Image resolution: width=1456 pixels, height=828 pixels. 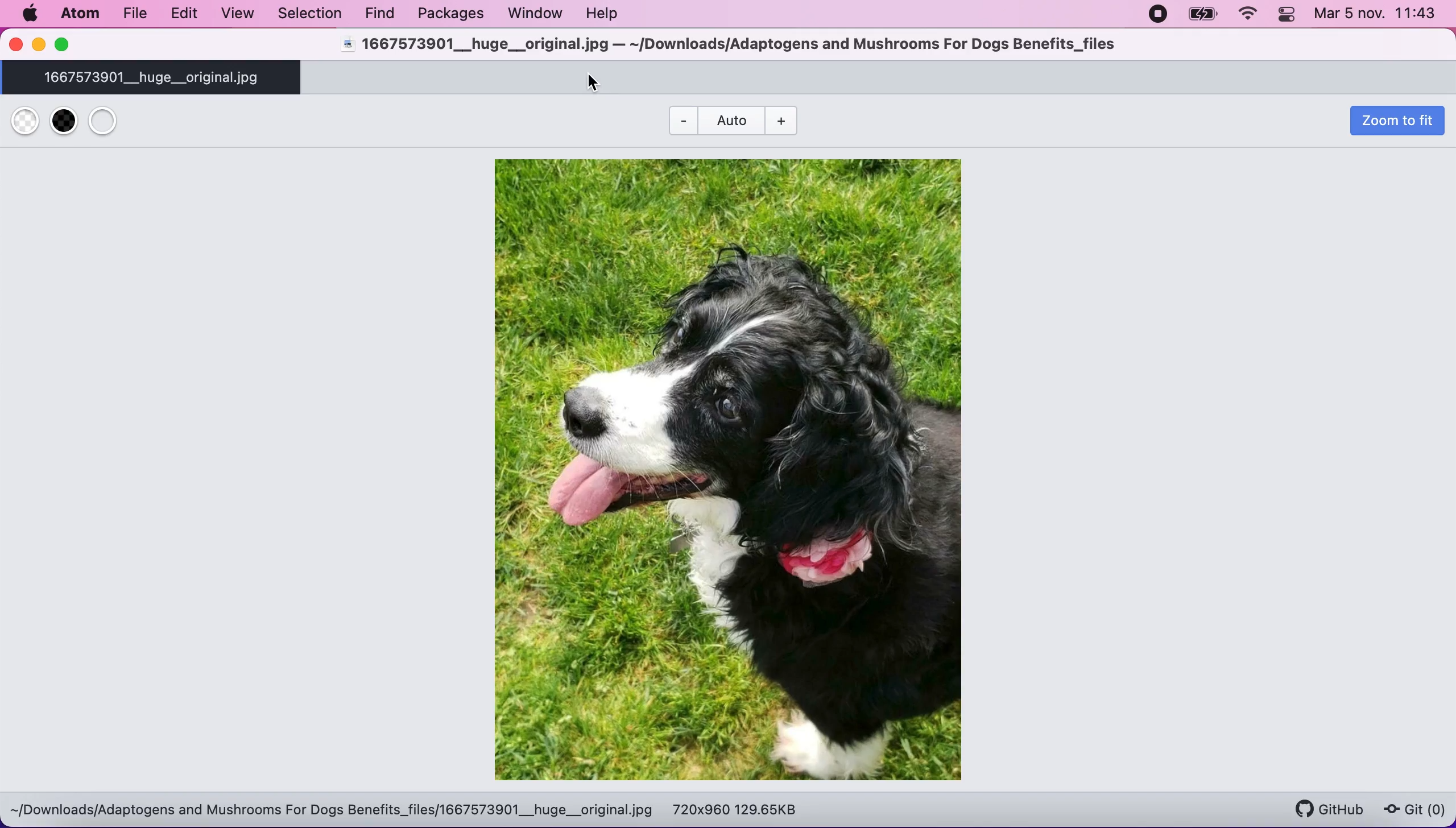 What do you see at coordinates (155, 78) in the screenshot?
I see `1667573901__huge__original.jpg` at bounding box center [155, 78].